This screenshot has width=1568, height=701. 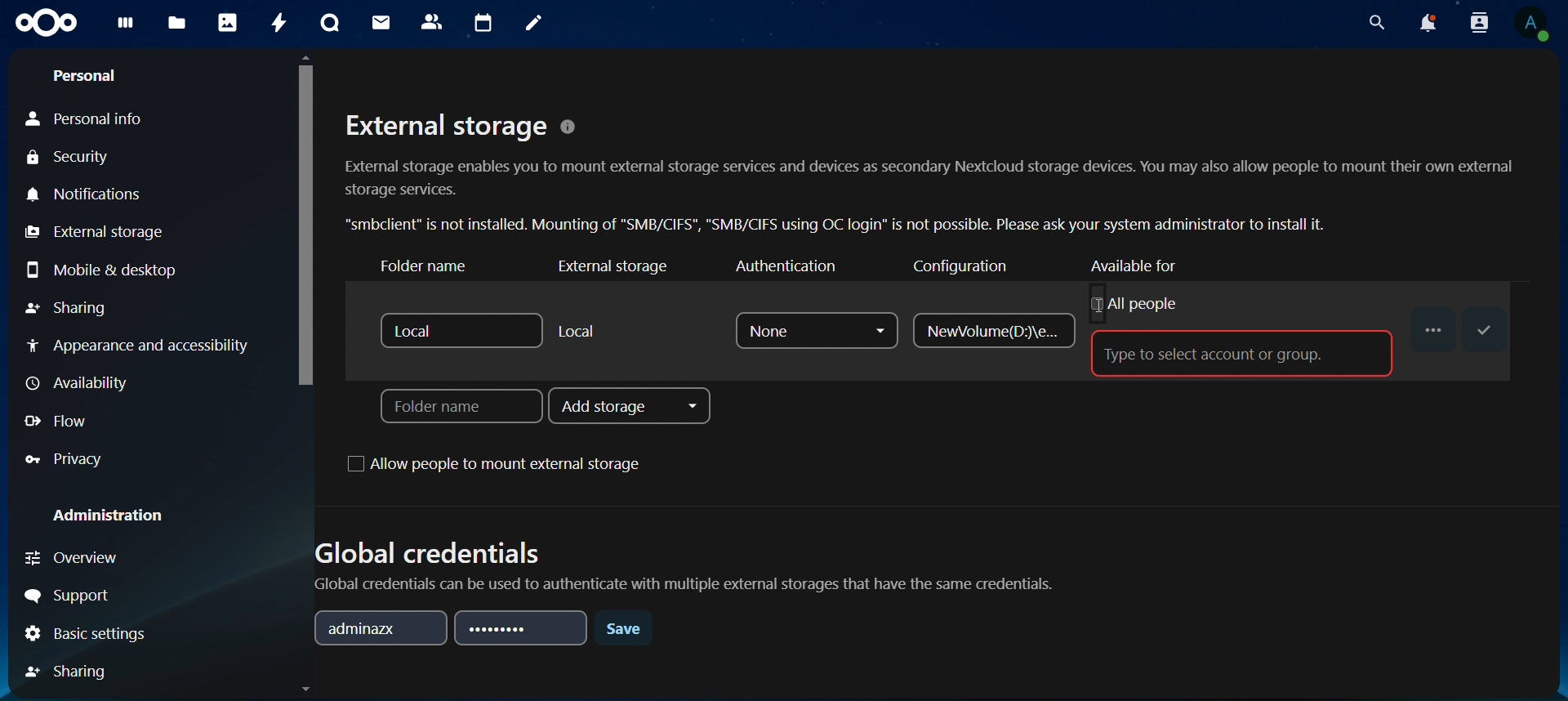 I want to click on files, so click(x=176, y=25).